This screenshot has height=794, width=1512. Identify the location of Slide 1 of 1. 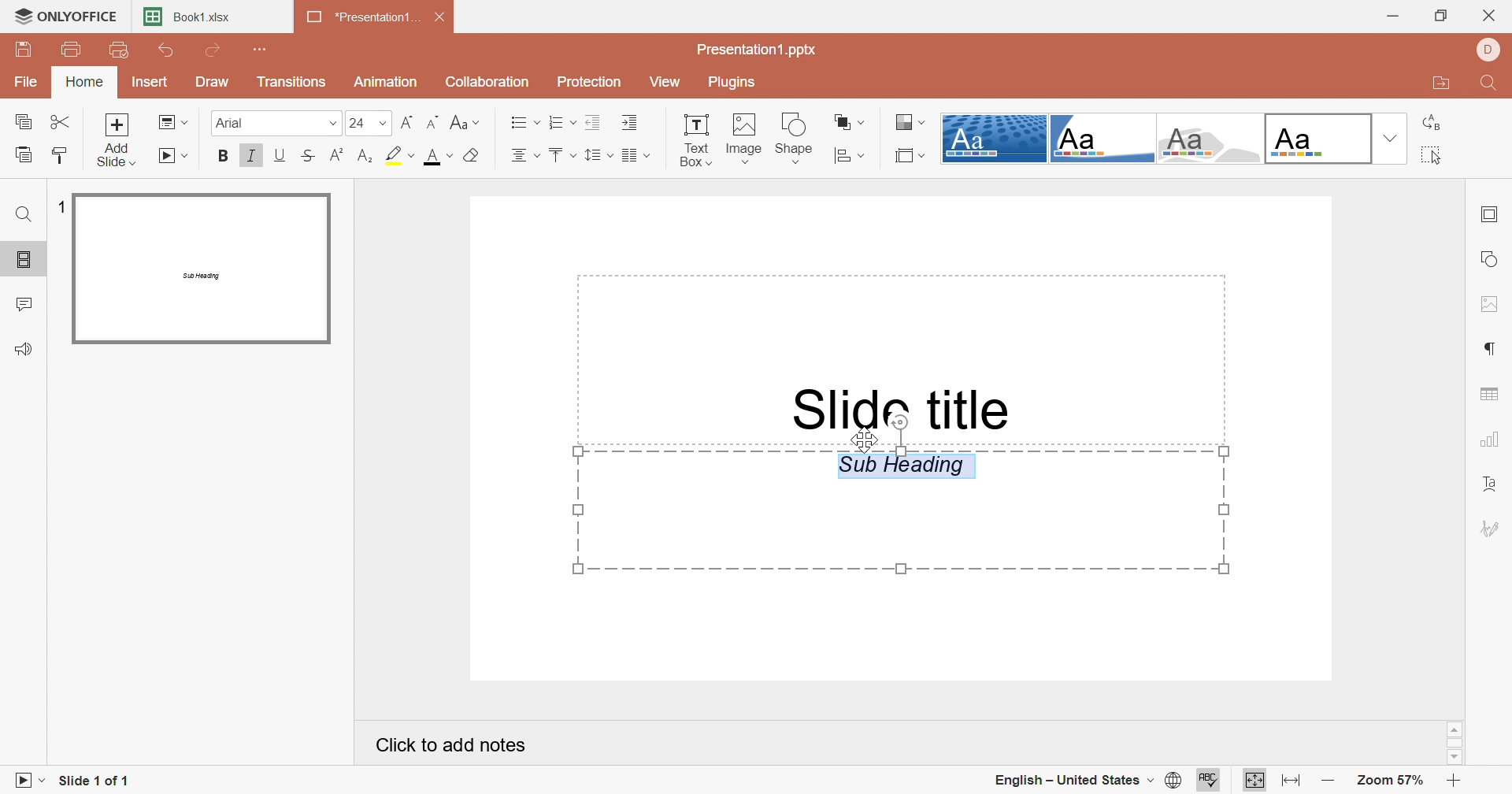
(102, 780).